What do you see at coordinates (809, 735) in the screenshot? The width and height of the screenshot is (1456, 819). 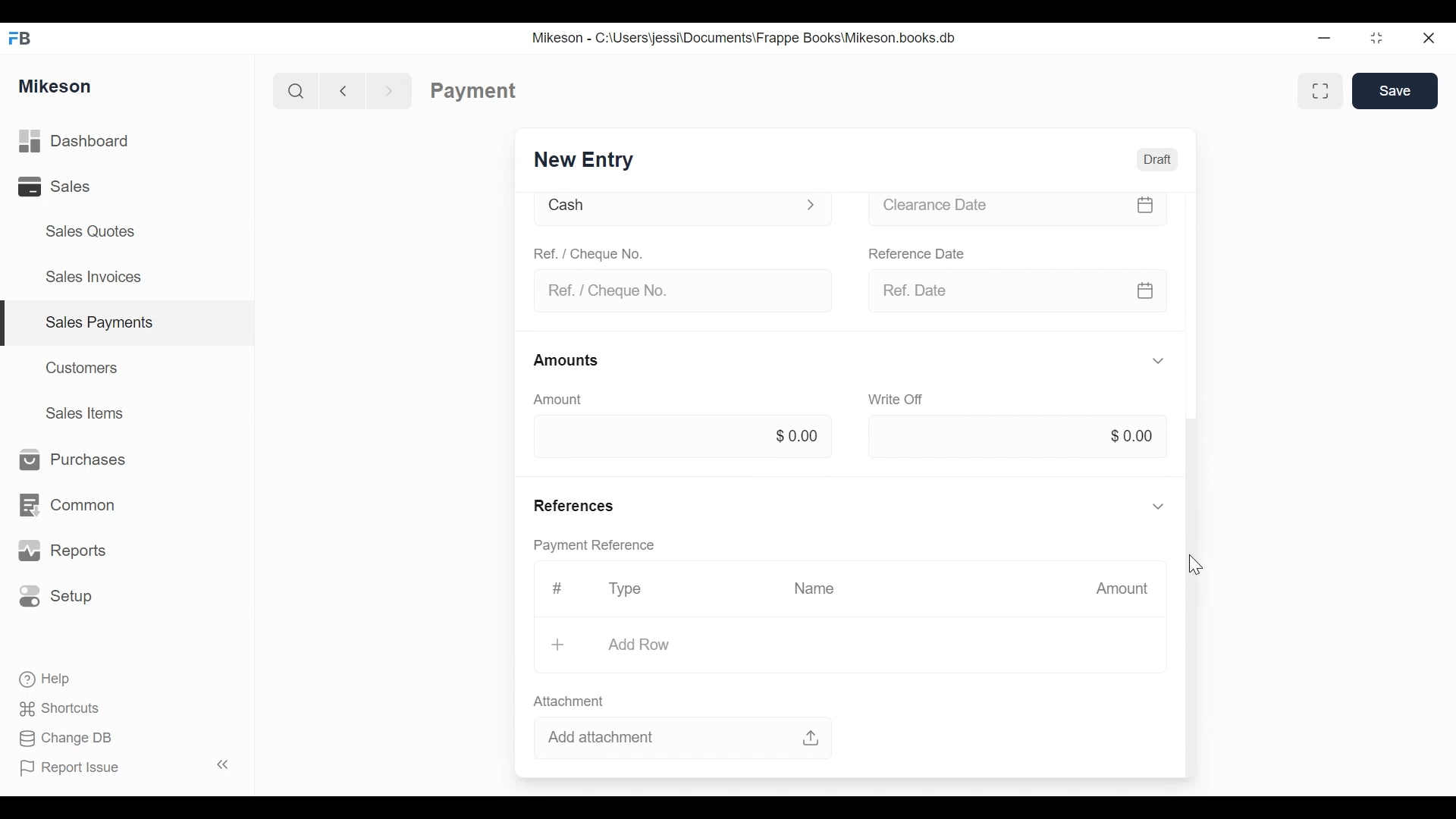 I see `upload` at bounding box center [809, 735].